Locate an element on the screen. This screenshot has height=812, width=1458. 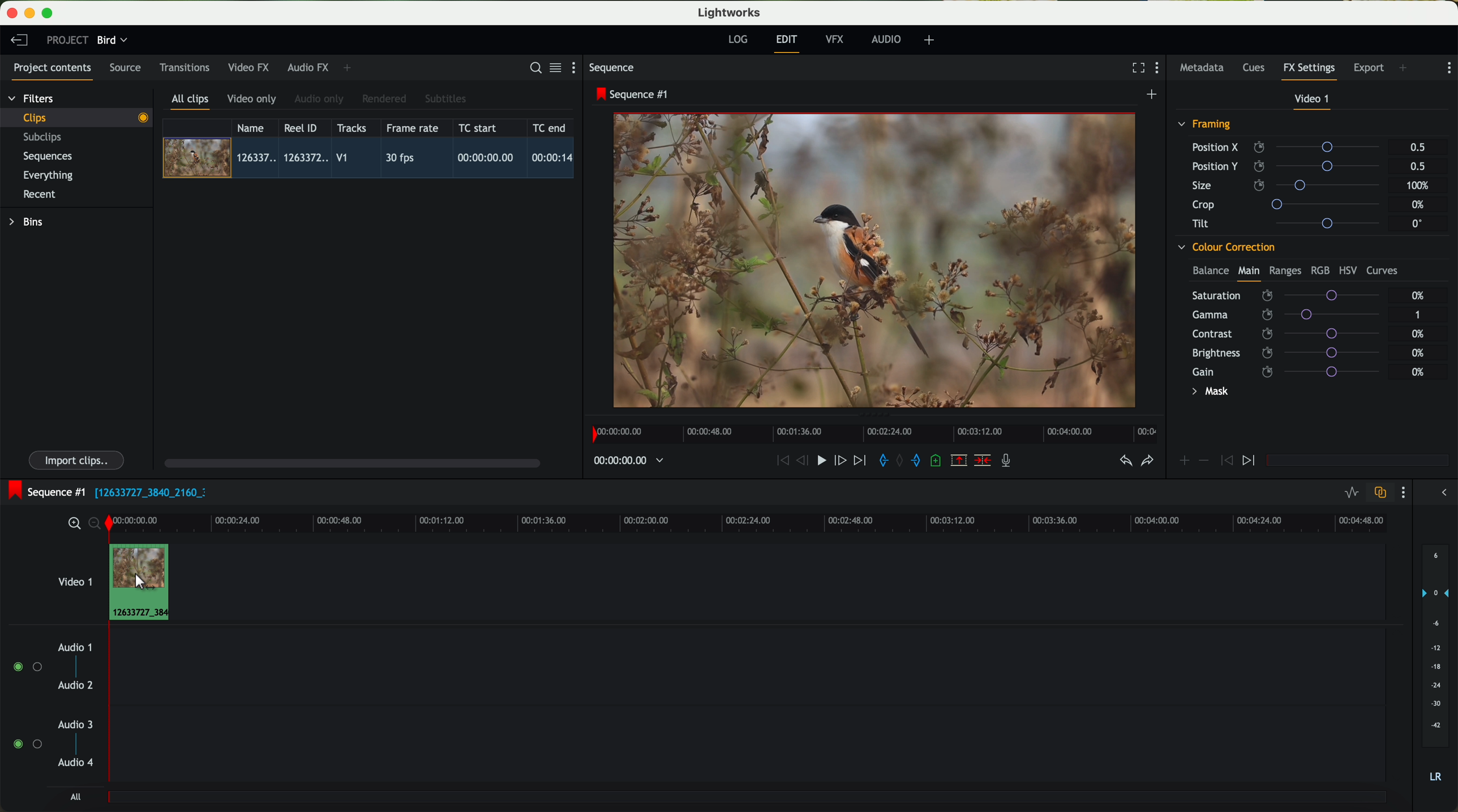
0% is located at coordinates (1420, 205).